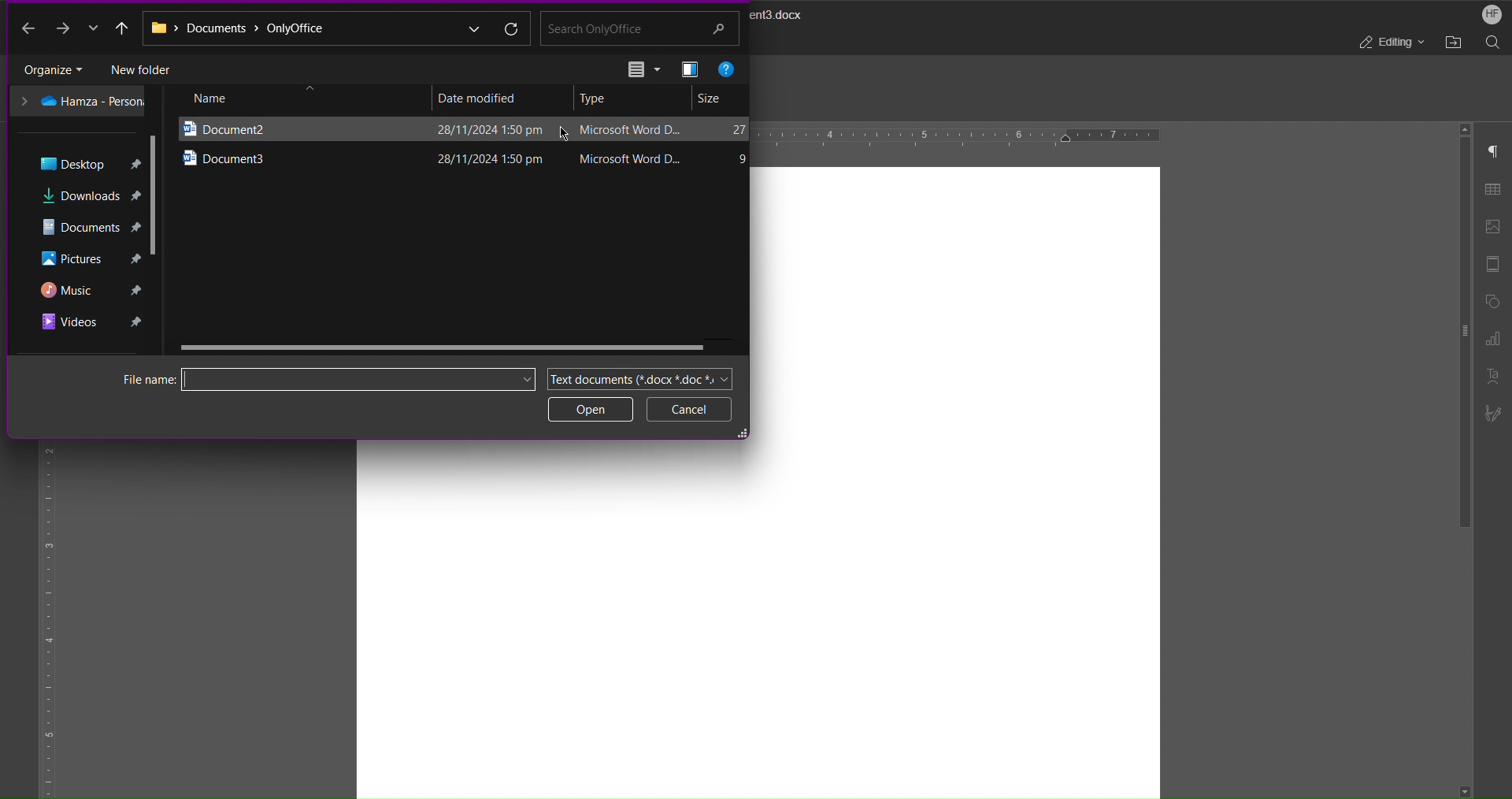 Image resolution: width=1512 pixels, height=799 pixels. What do you see at coordinates (87, 324) in the screenshot?
I see `Videos` at bounding box center [87, 324].